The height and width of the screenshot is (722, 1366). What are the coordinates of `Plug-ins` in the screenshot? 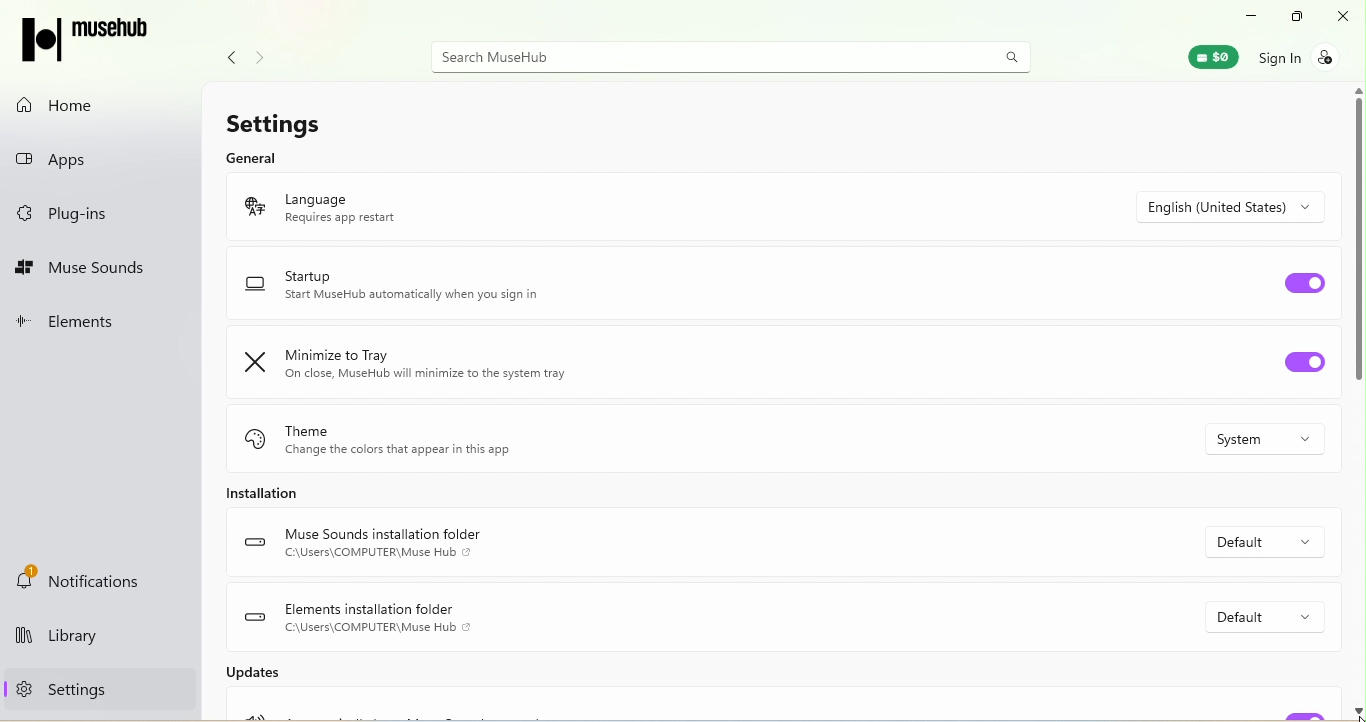 It's located at (94, 214).